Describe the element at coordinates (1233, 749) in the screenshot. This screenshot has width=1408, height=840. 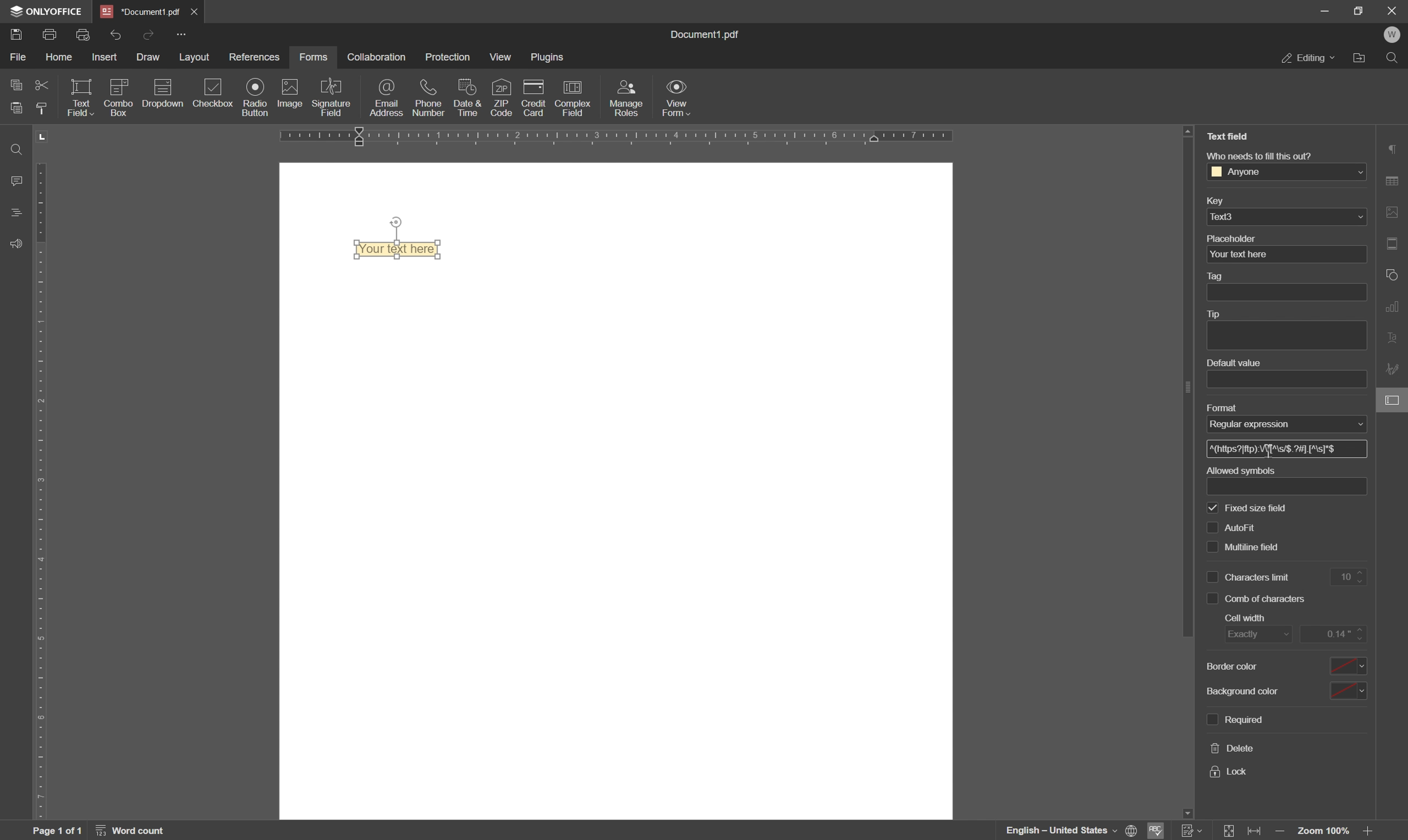
I see `delete` at that location.